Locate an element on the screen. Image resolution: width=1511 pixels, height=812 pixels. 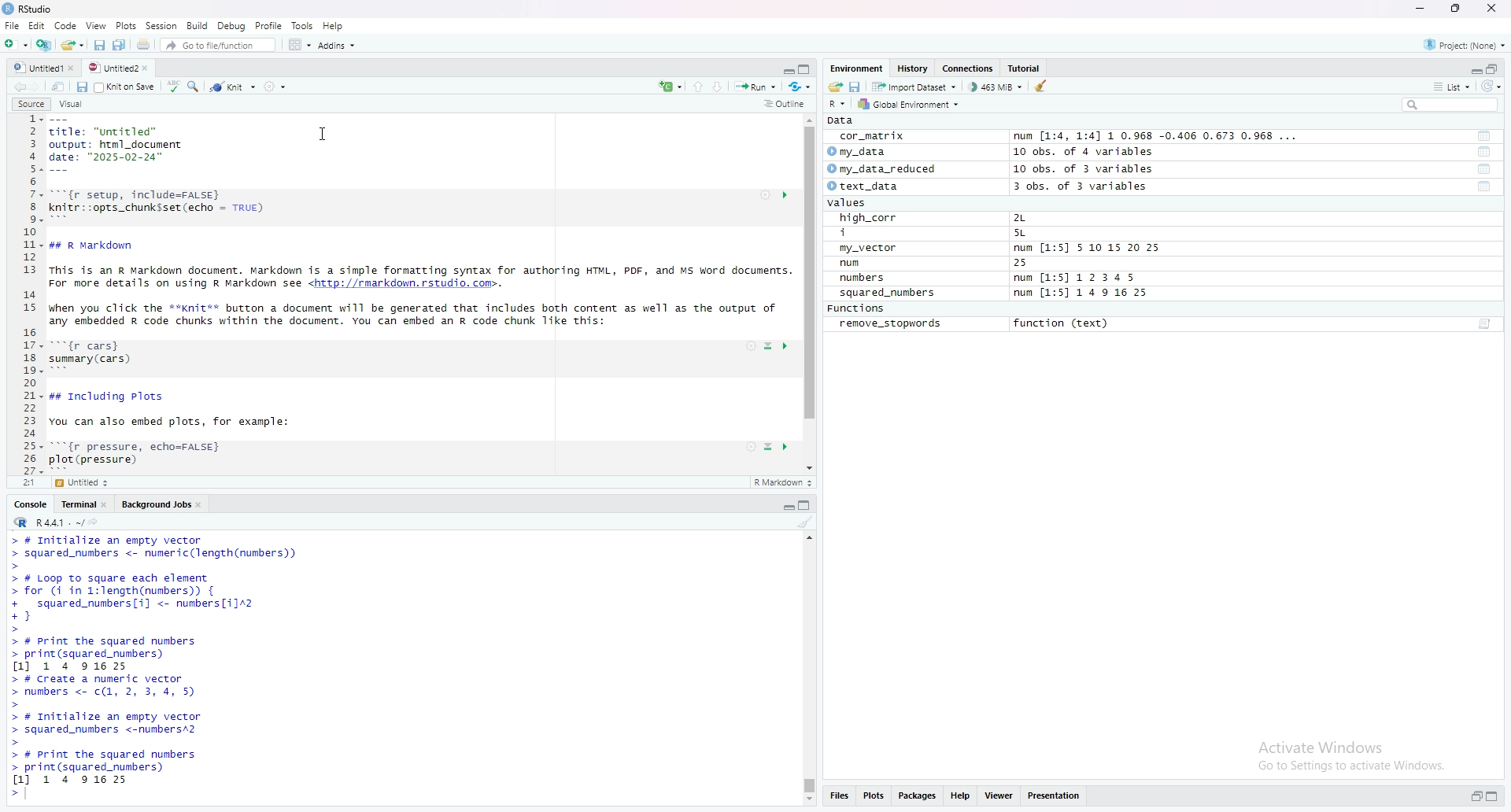
RStudio is located at coordinates (29, 9).